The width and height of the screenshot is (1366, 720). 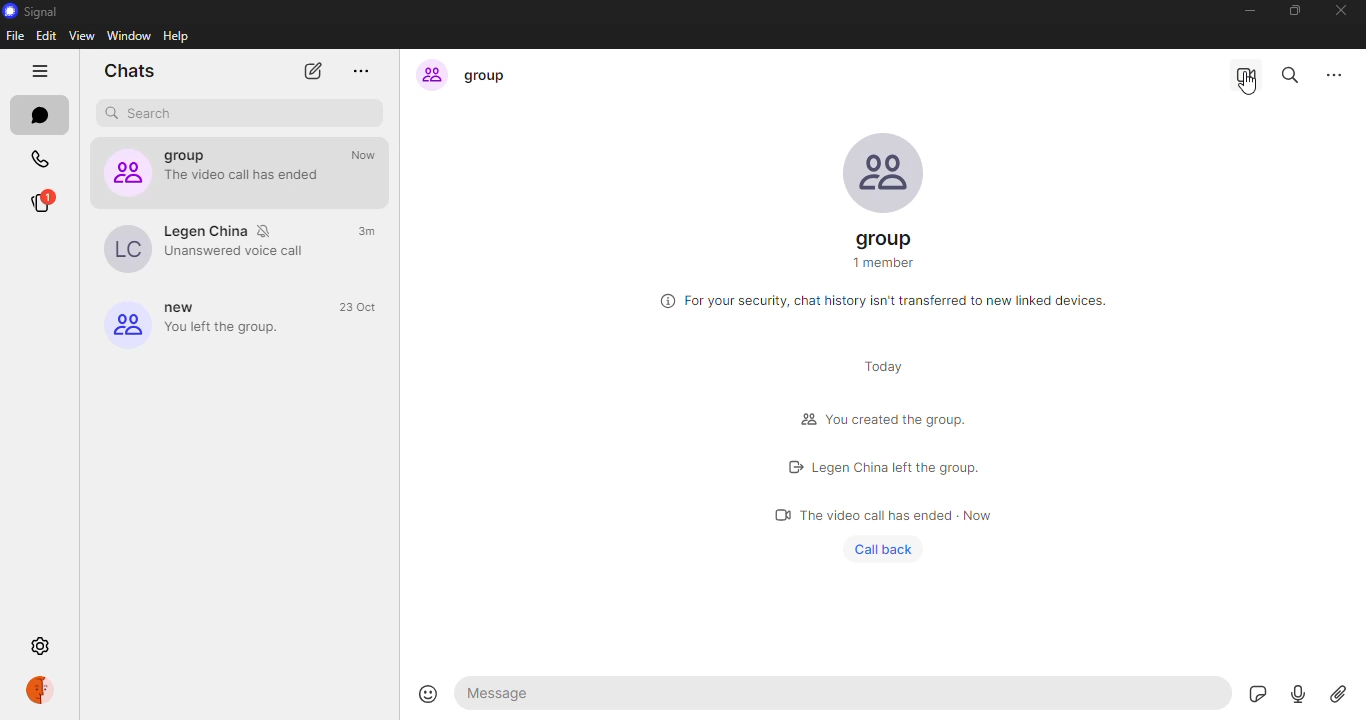 I want to click on sticker, so click(x=1254, y=693).